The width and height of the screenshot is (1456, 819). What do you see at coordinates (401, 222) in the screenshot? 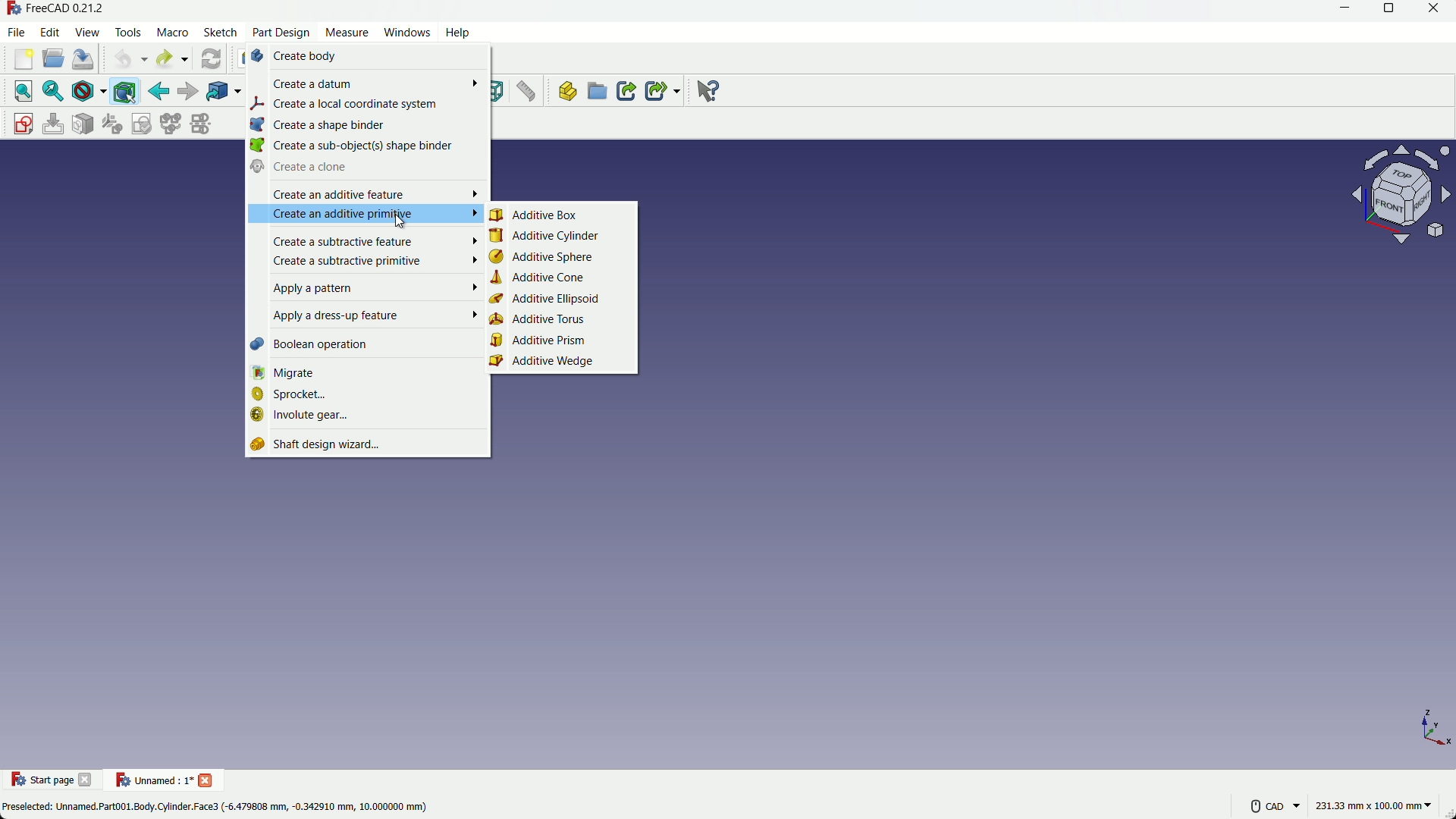
I see `cursor` at bounding box center [401, 222].